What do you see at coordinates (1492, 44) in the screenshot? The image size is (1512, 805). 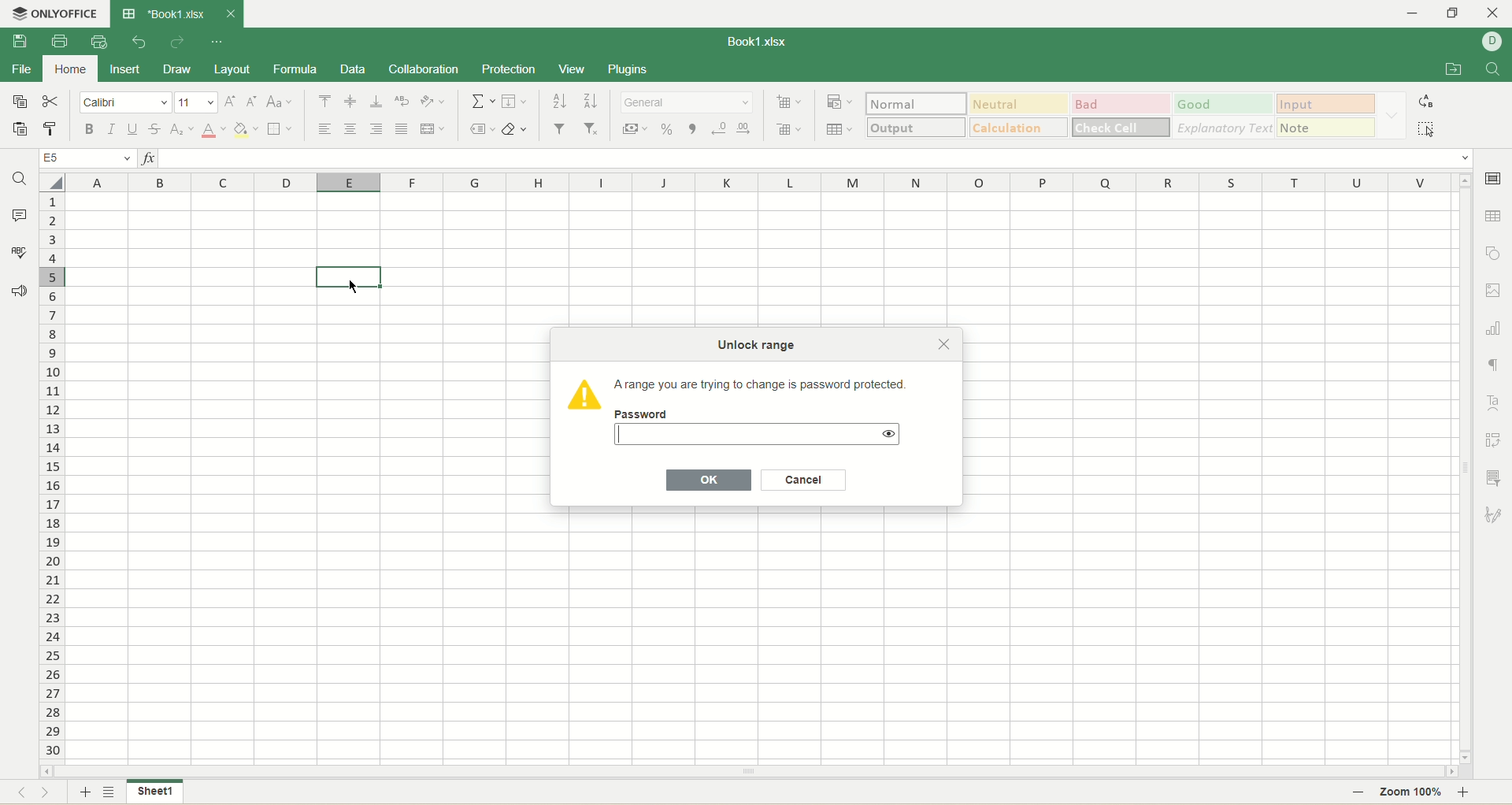 I see `username` at bounding box center [1492, 44].